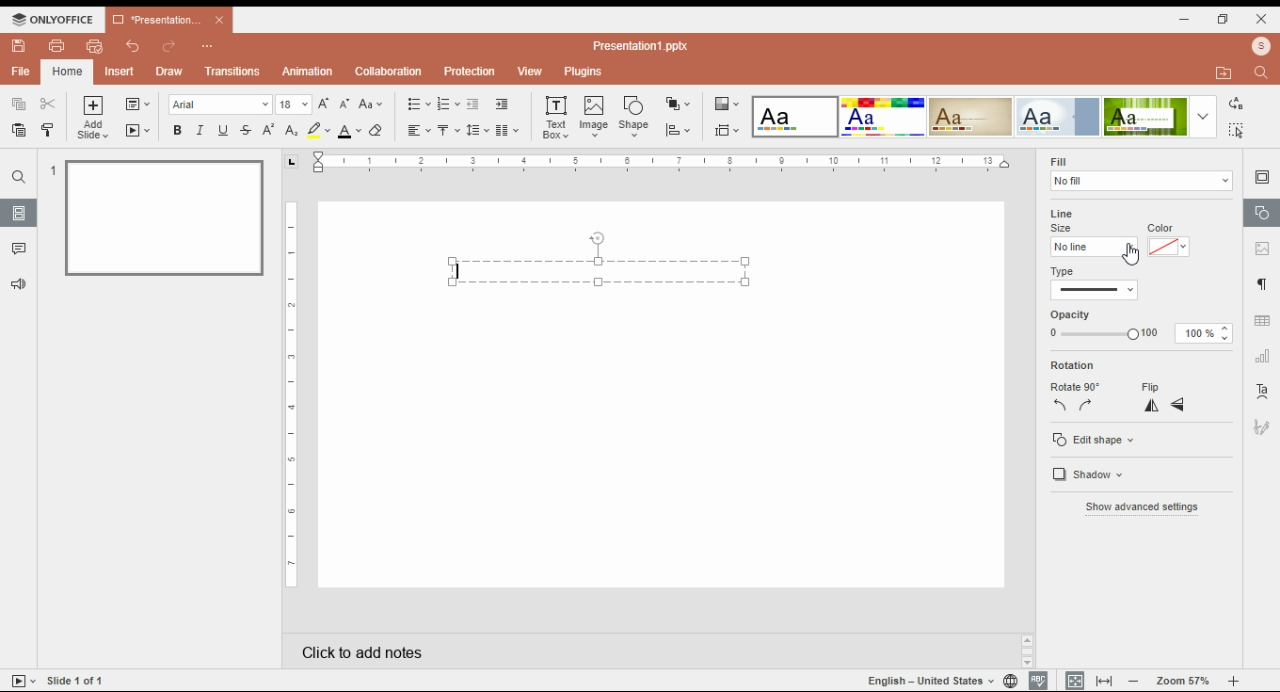  I want to click on increase indent, so click(501, 104).